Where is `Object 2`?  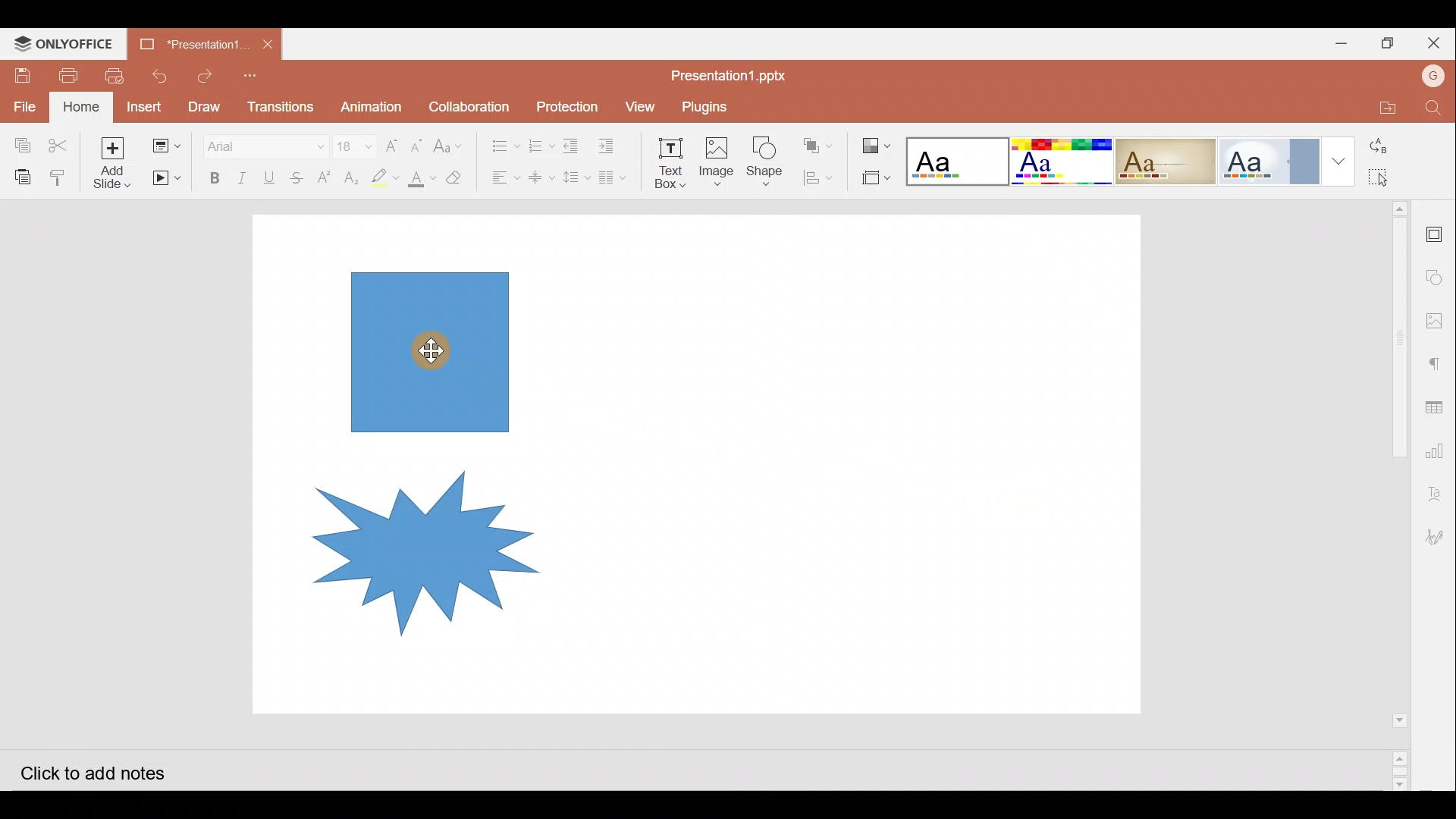
Object 2 is located at coordinates (409, 552).